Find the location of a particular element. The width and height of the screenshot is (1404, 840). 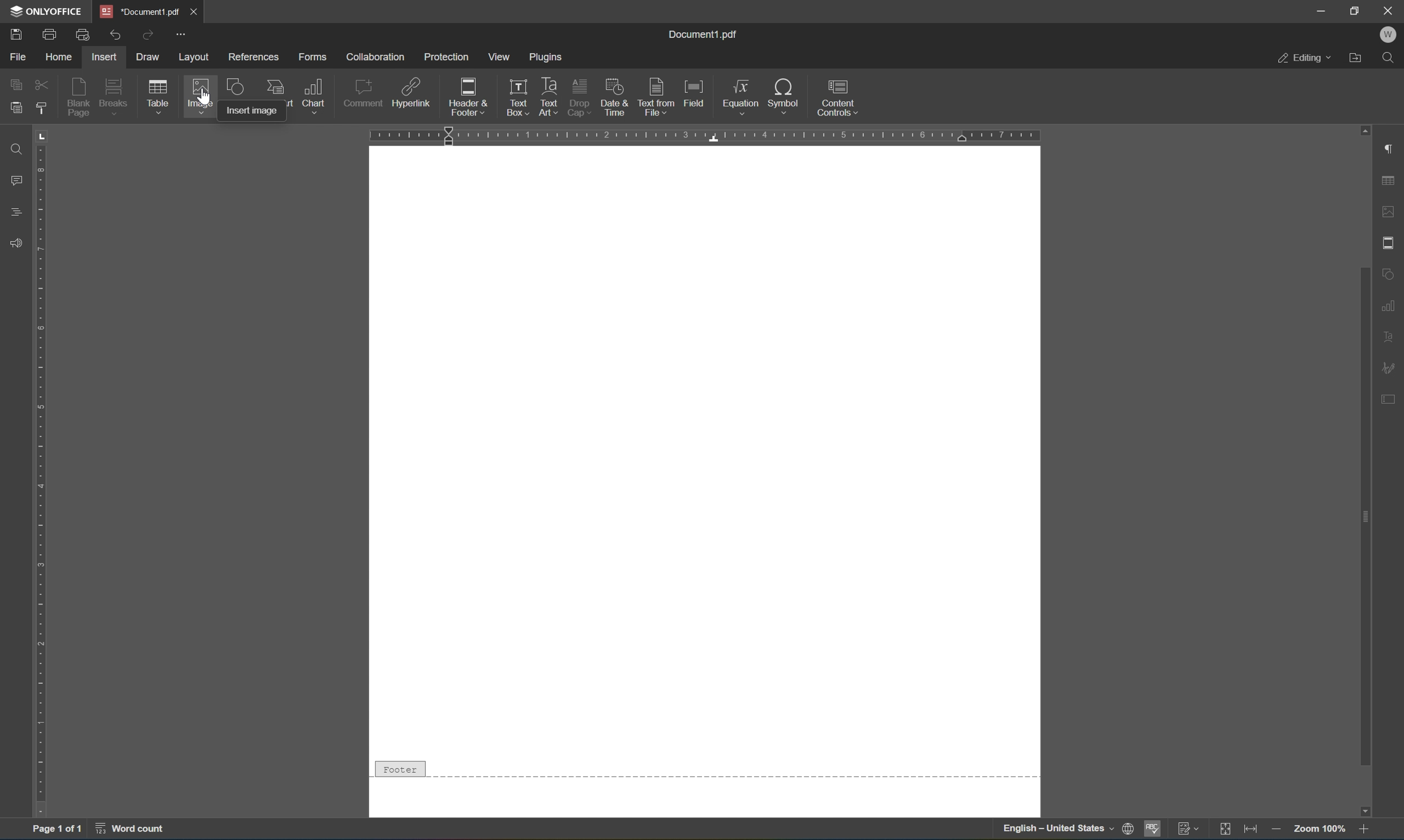

fit to width is located at coordinates (1251, 830).